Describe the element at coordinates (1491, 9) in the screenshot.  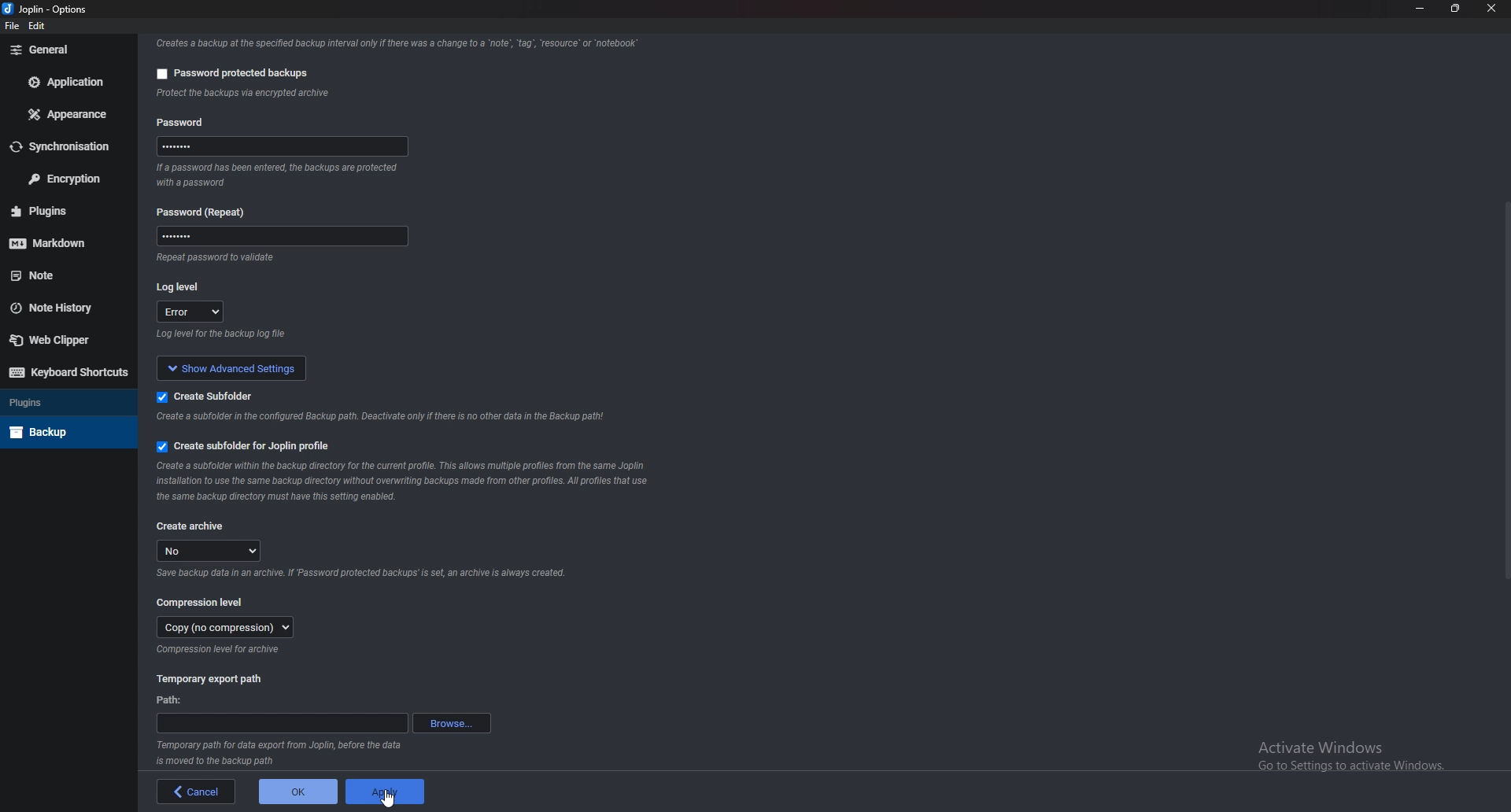
I see `close` at that location.